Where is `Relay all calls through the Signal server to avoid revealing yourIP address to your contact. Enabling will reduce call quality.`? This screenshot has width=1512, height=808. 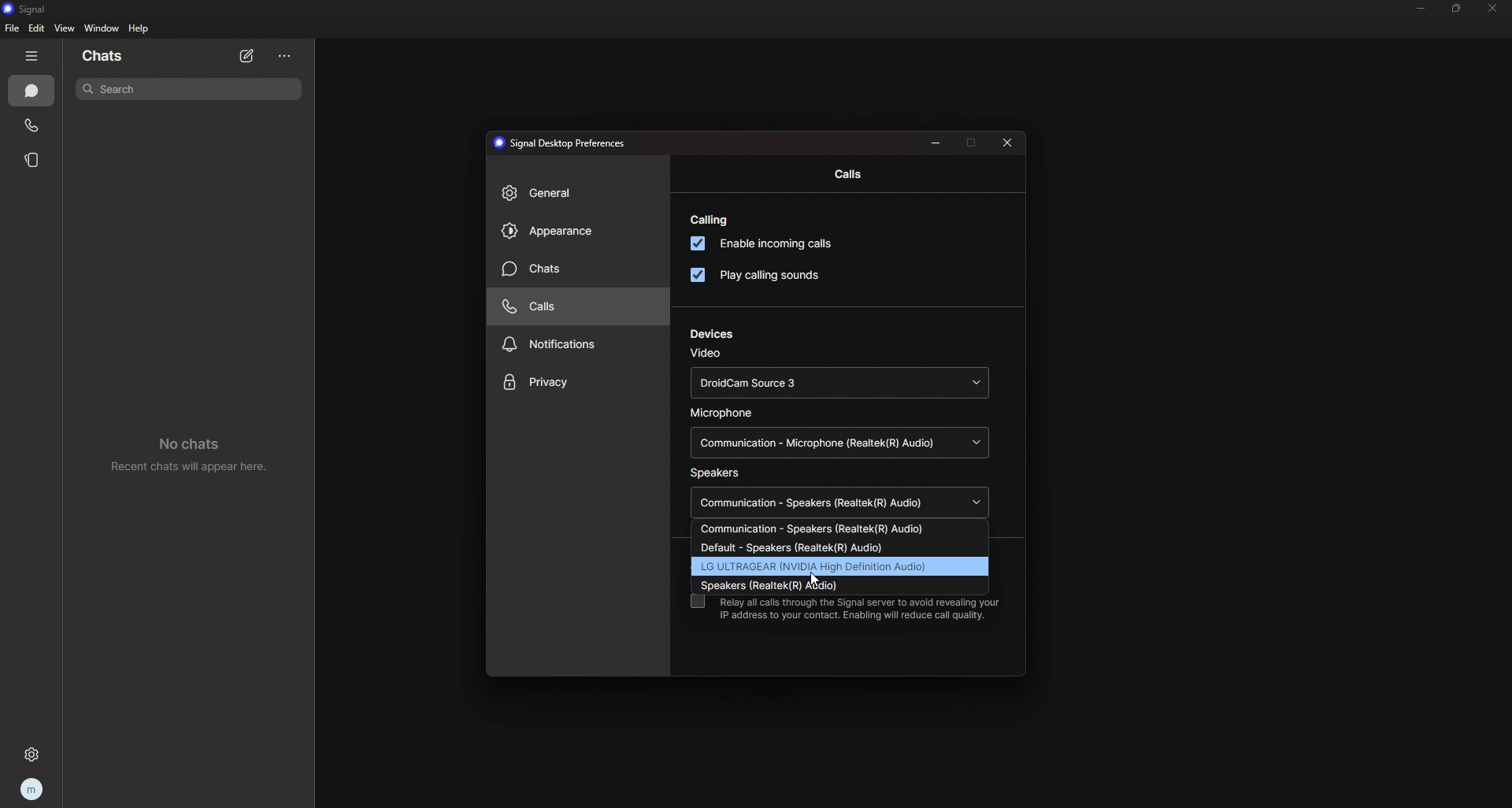 Relay all calls through the Signal server to avoid revealing yourIP address to your contact. Enabling will reduce call quality. is located at coordinates (862, 610).